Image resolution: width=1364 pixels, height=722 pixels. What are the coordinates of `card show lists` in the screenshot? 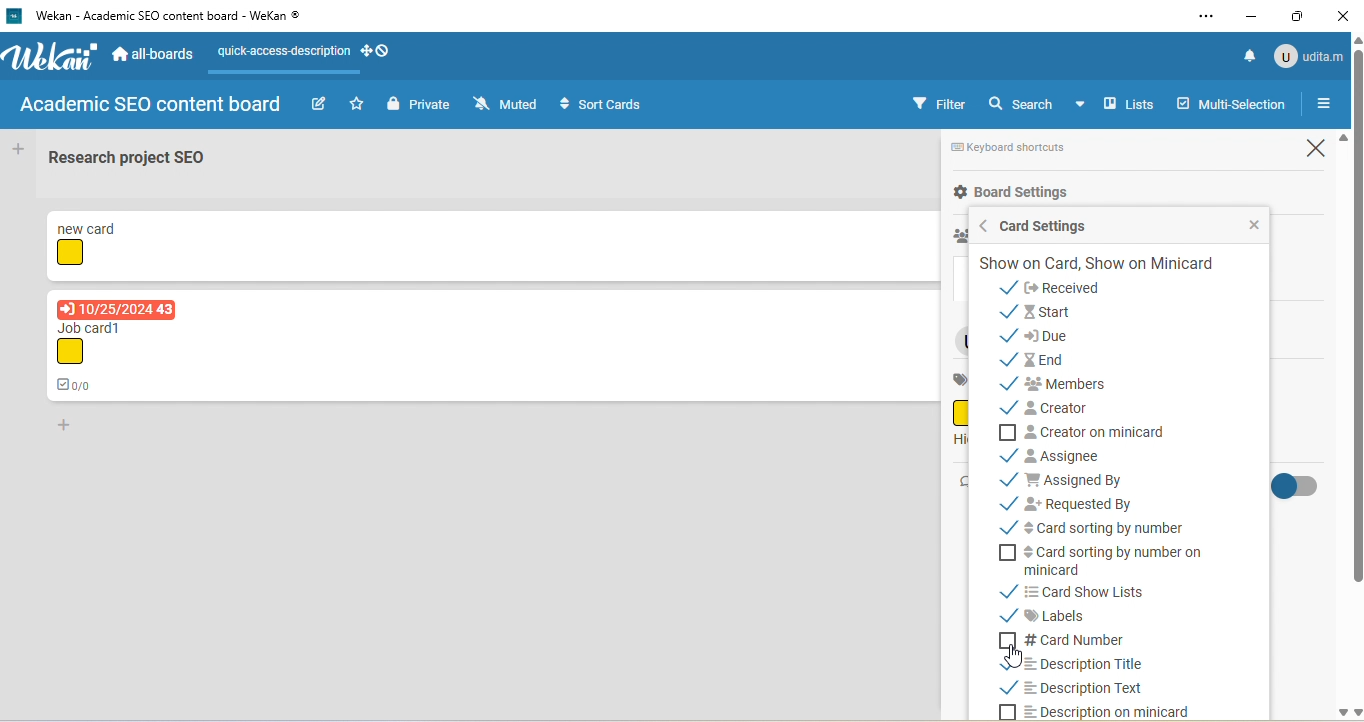 It's located at (1100, 591).